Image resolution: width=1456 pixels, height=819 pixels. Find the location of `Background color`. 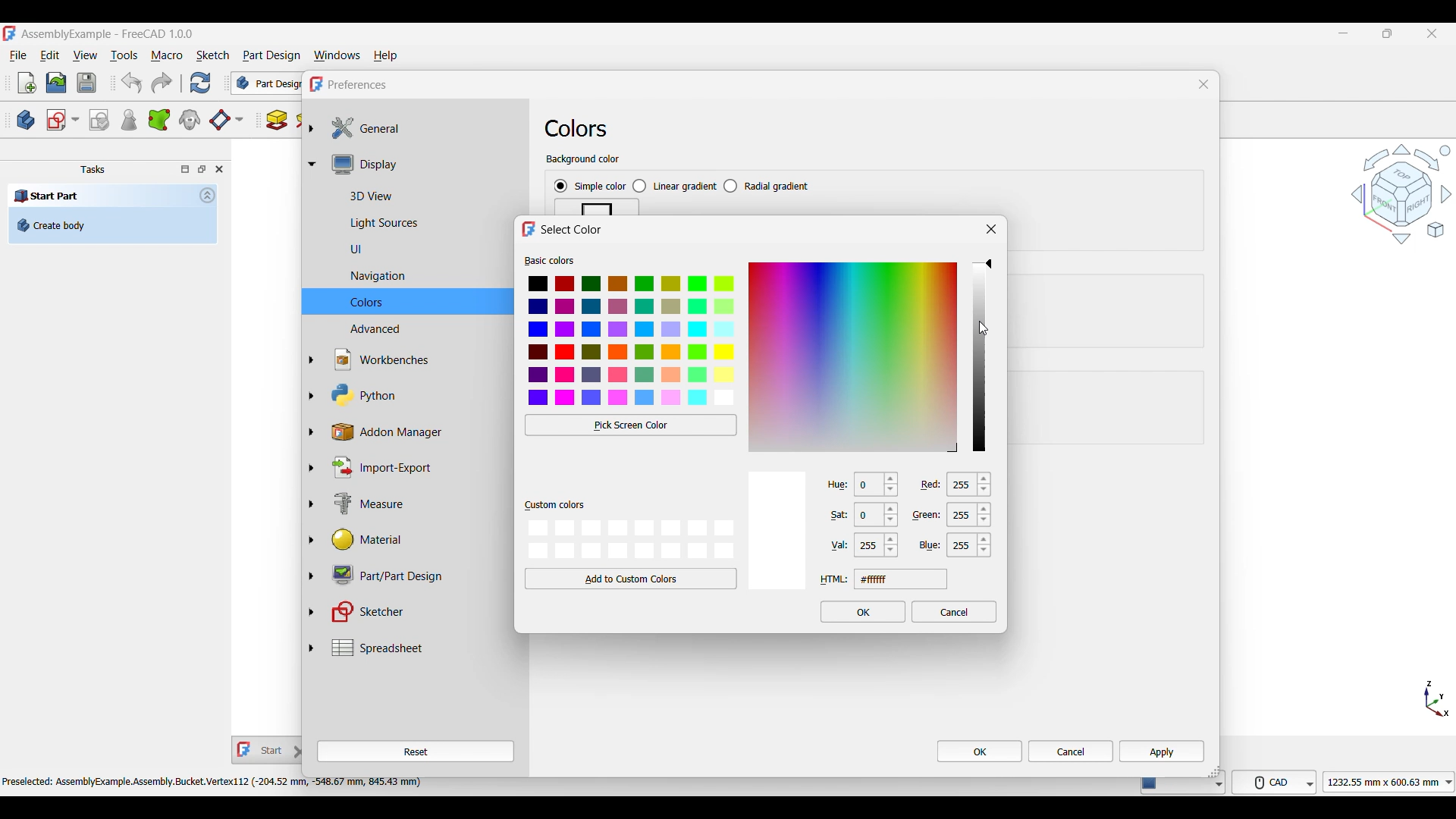

Background color is located at coordinates (583, 160).